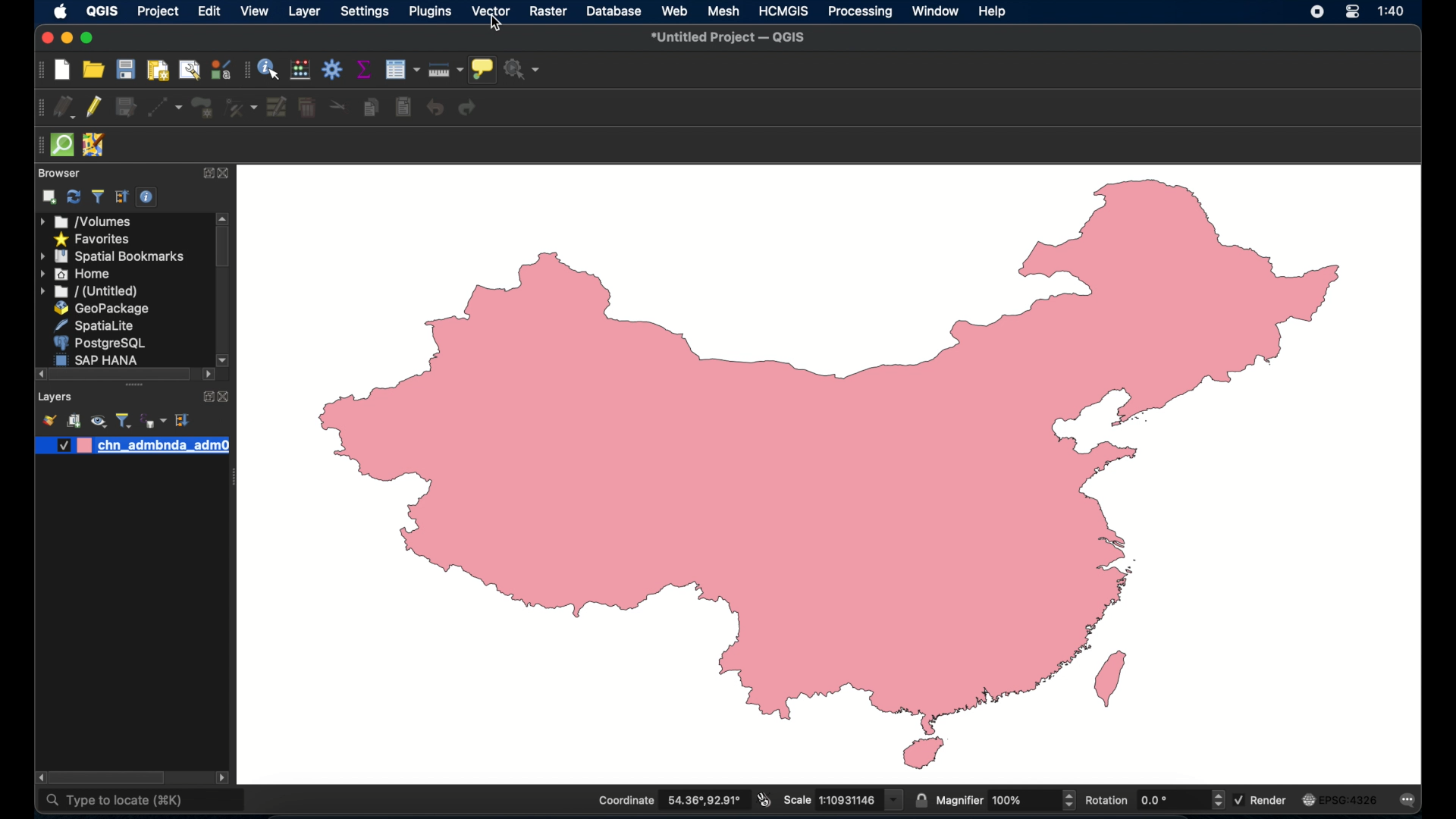 The image size is (1456, 819). What do you see at coordinates (148, 197) in the screenshot?
I see `enable/disable properties widget` at bounding box center [148, 197].